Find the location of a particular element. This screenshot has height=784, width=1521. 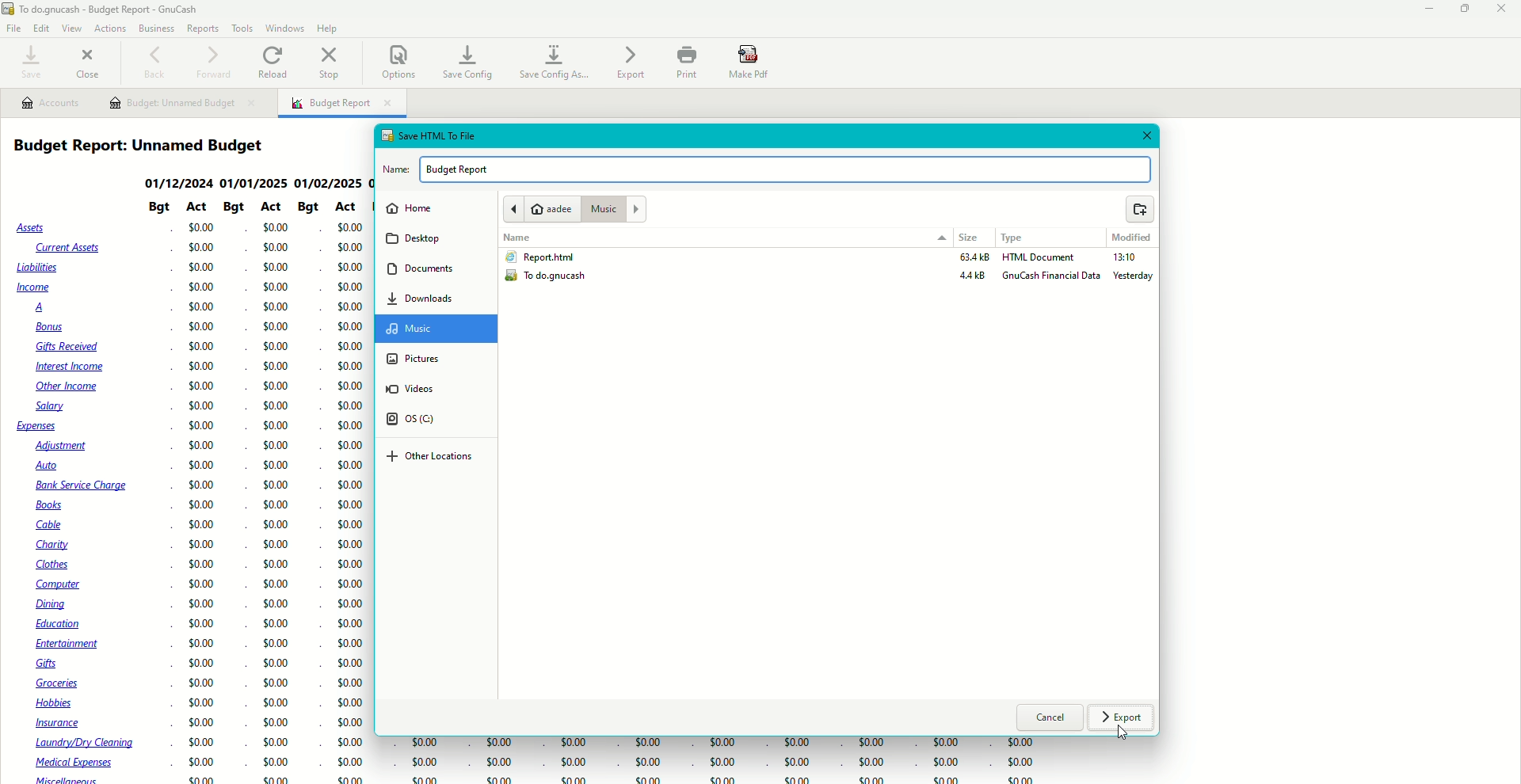

Music is located at coordinates (613, 208).